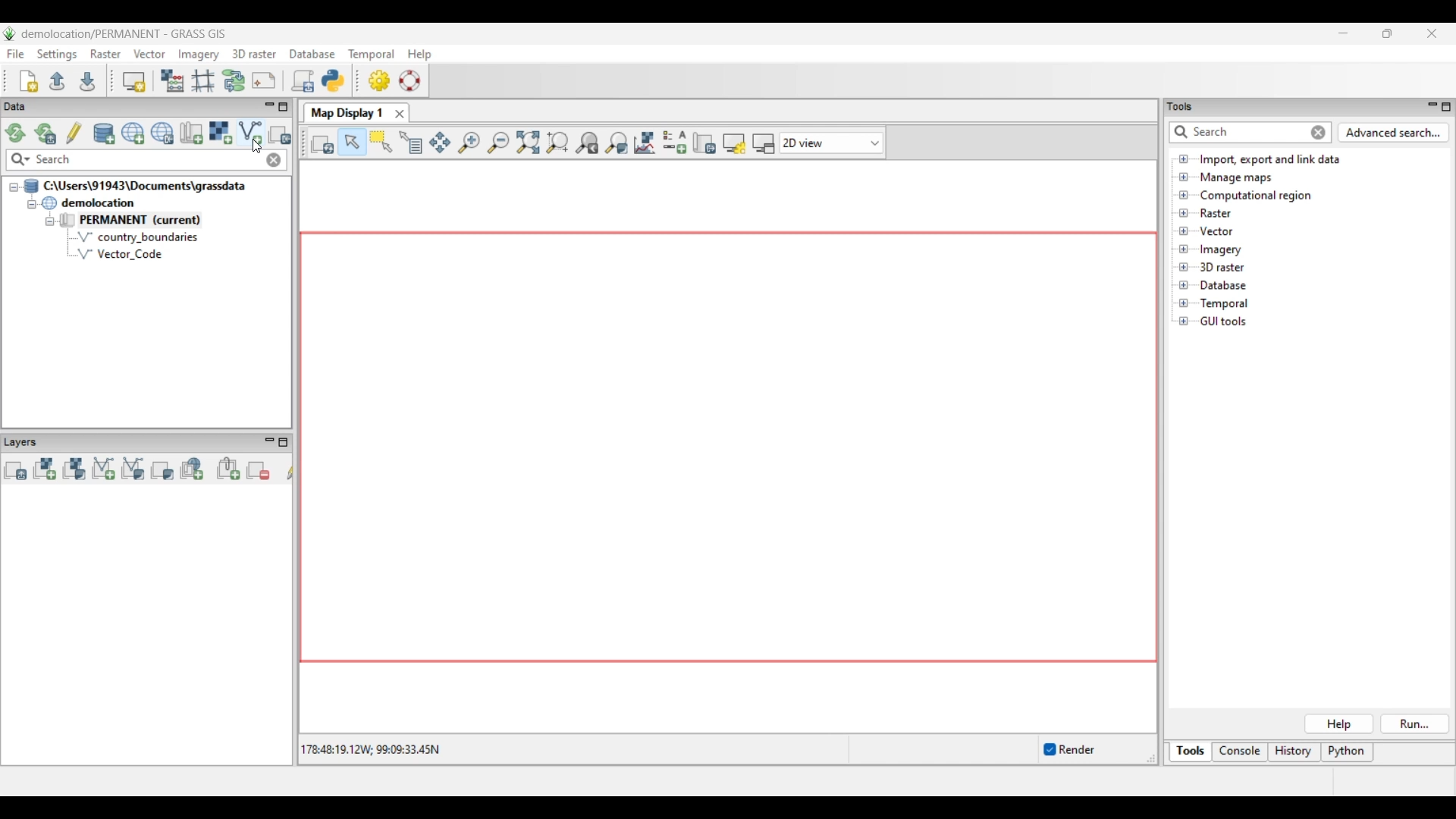  I want to click on Help, so click(1338, 724).